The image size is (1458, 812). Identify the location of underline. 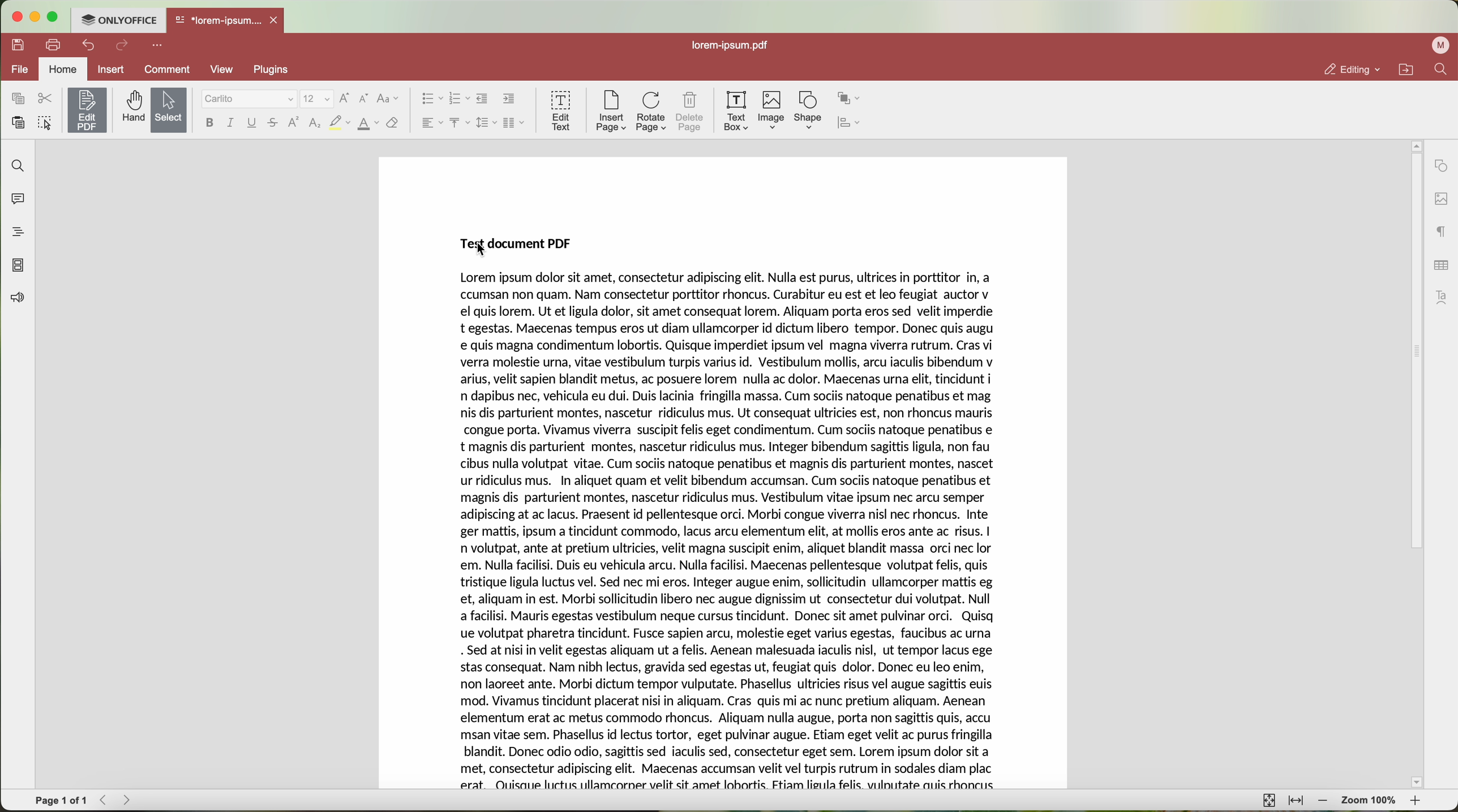
(253, 123).